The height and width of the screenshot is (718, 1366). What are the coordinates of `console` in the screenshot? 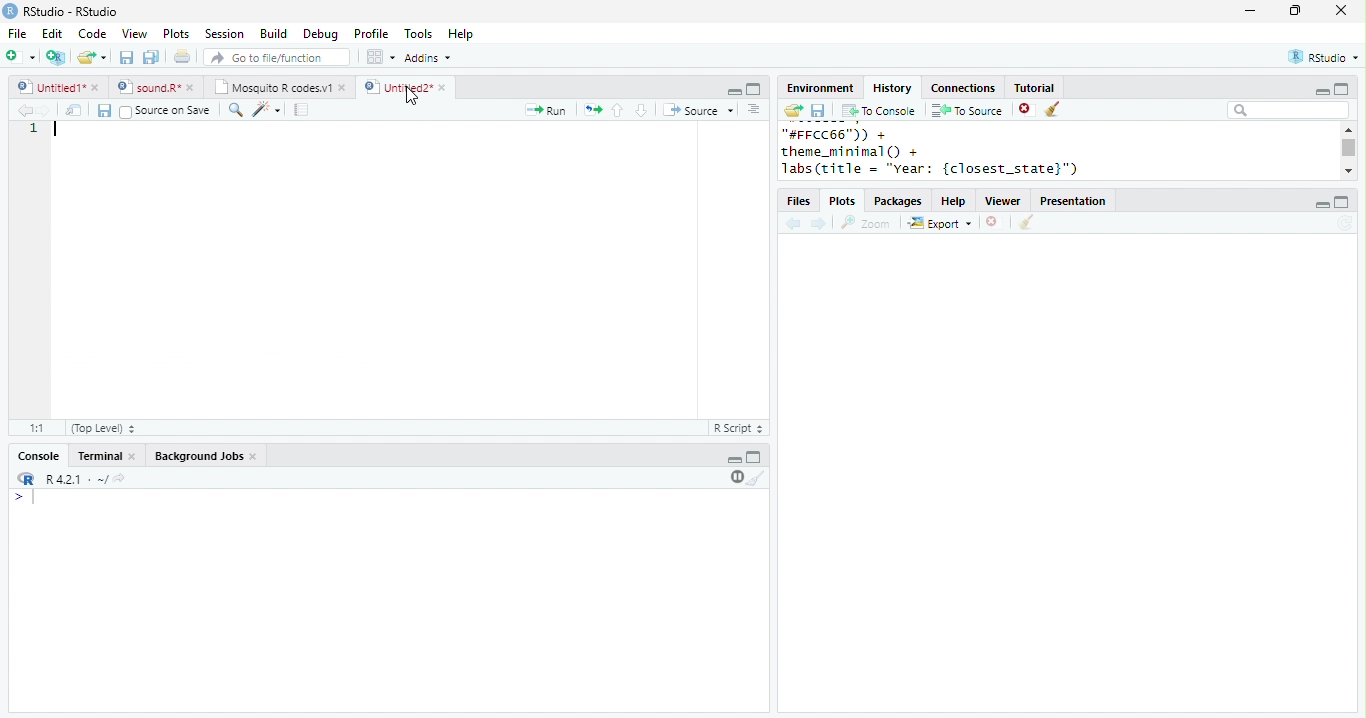 It's located at (37, 457).